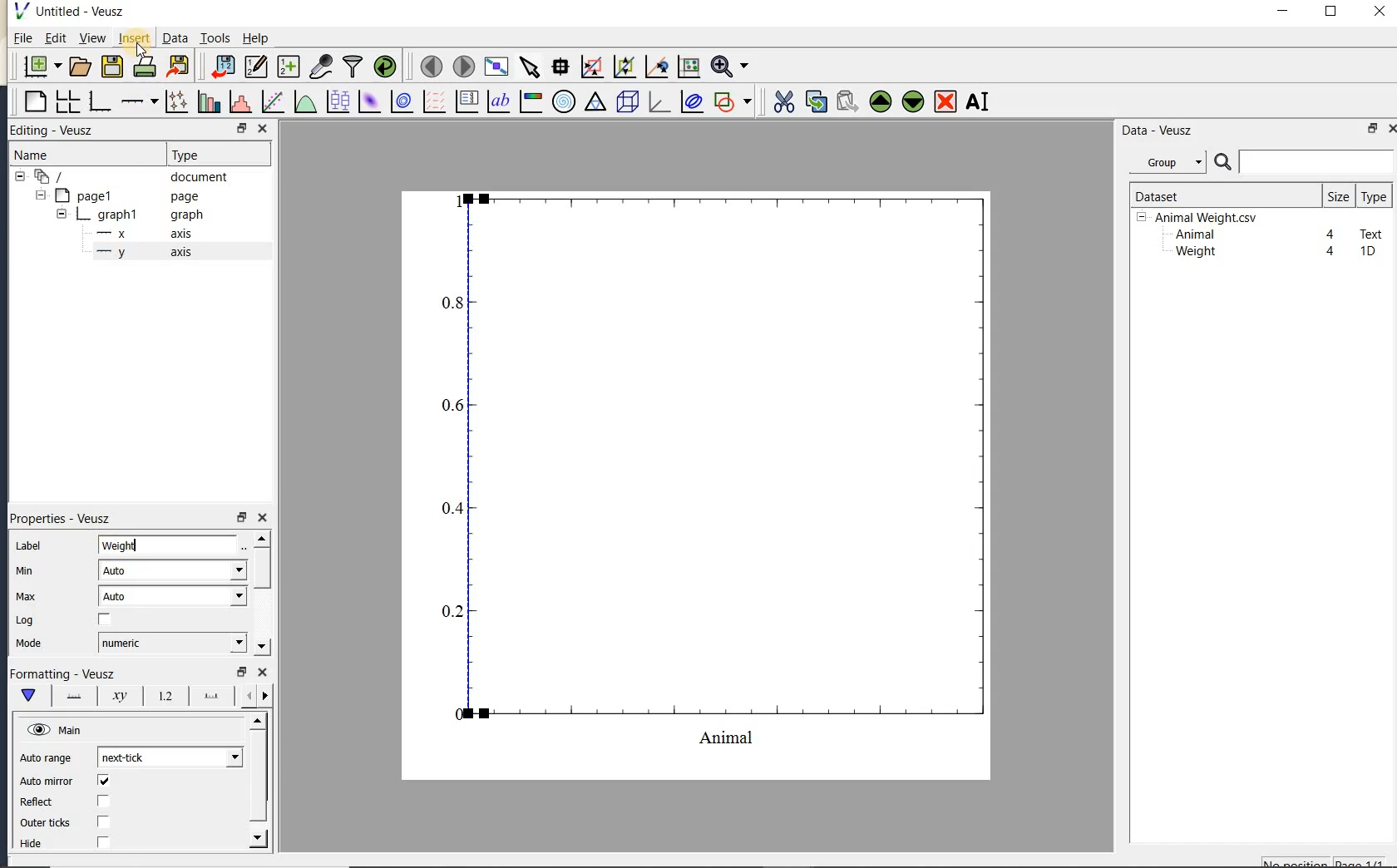 This screenshot has width=1397, height=868. I want to click on new document, so click(38, 67).